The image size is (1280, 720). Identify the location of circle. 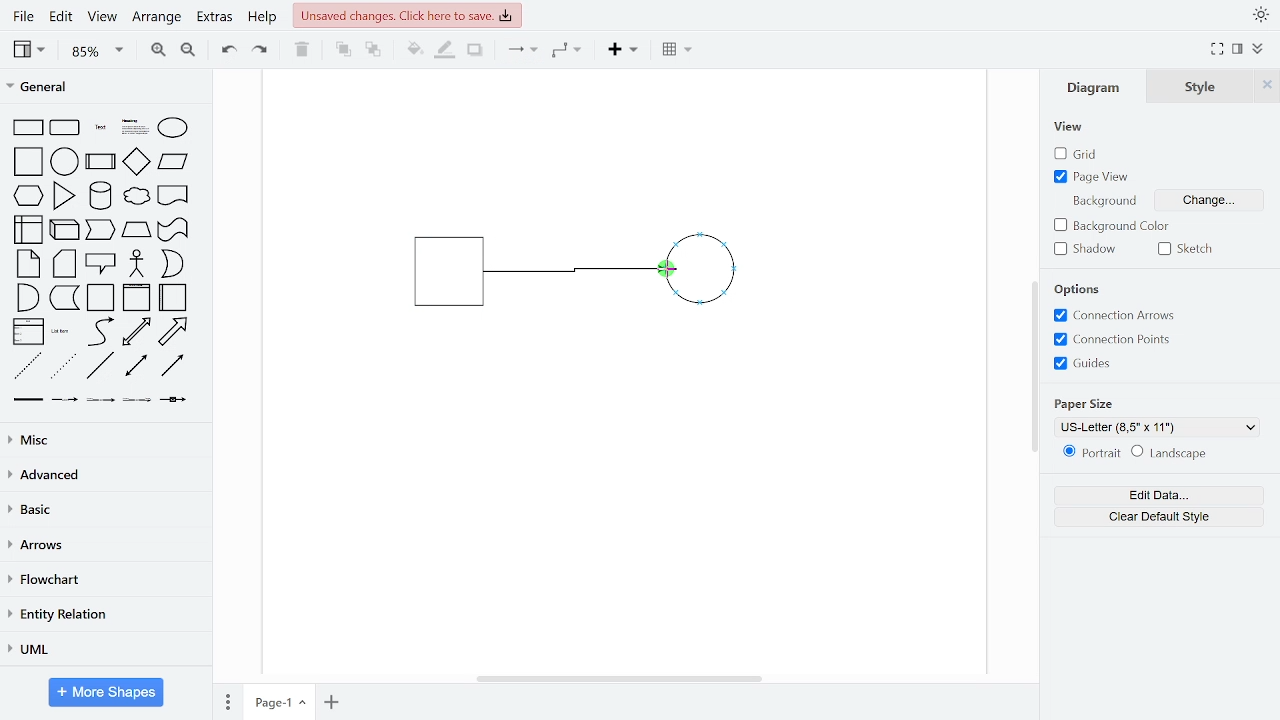
(65, 161).